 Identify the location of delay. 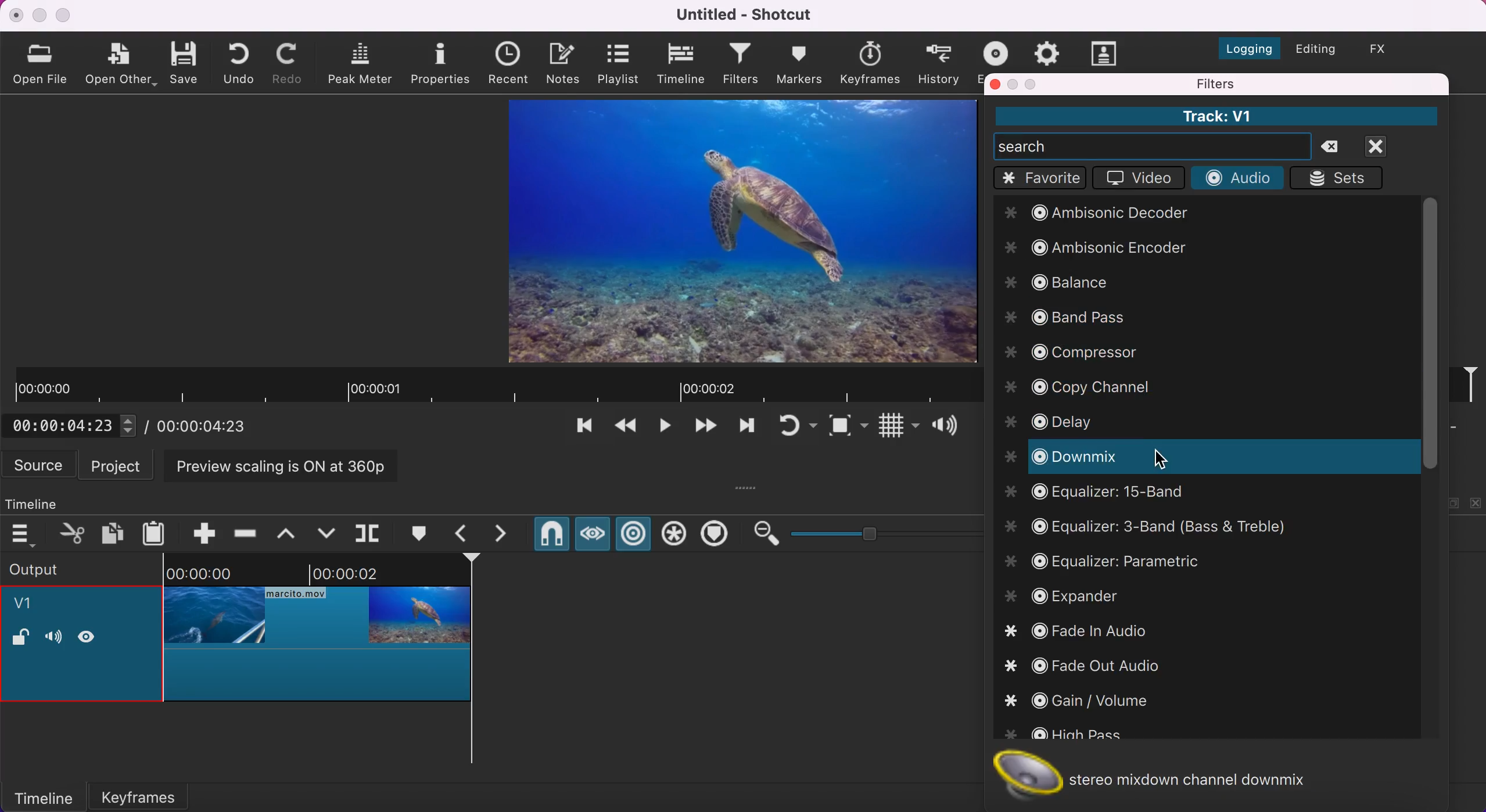
(1054, 421).